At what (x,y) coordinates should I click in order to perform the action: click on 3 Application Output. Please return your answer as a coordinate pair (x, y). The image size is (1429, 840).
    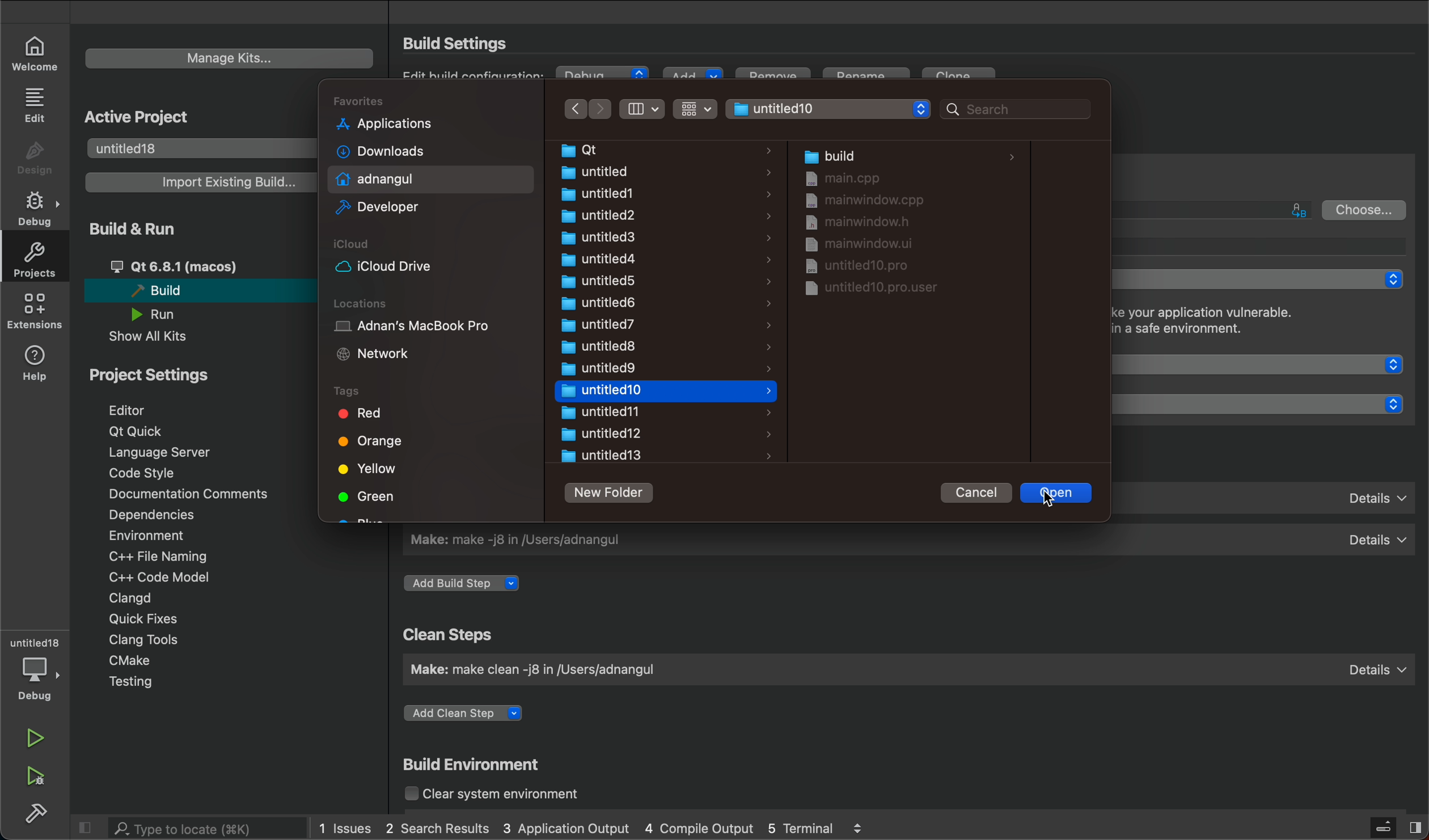
    Looking at the image, I should click on (567, 828).